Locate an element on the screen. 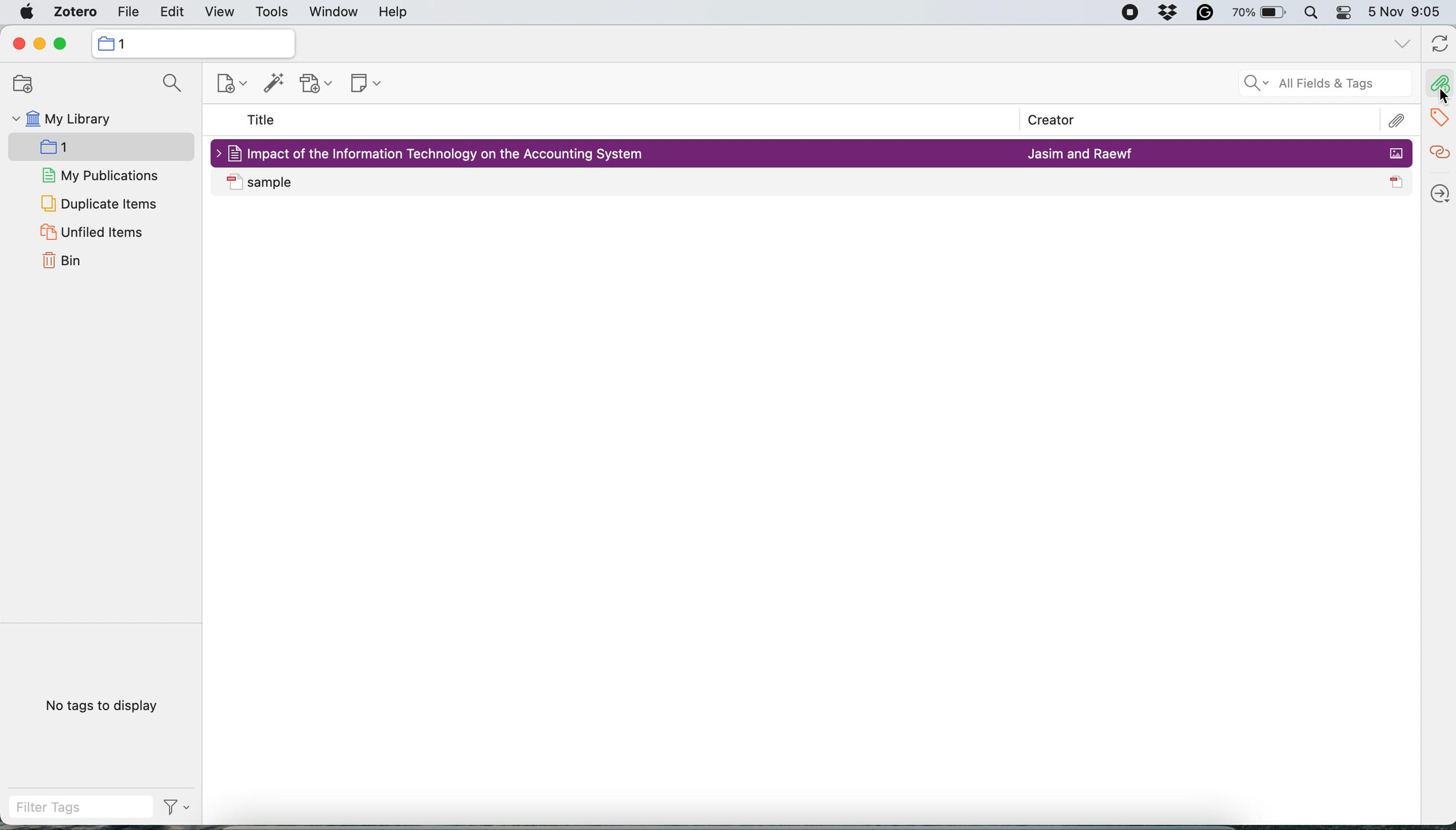 Image resolution: width=1456 pixels, height=830 pixels. new collection is located at coordinates (192, 43).